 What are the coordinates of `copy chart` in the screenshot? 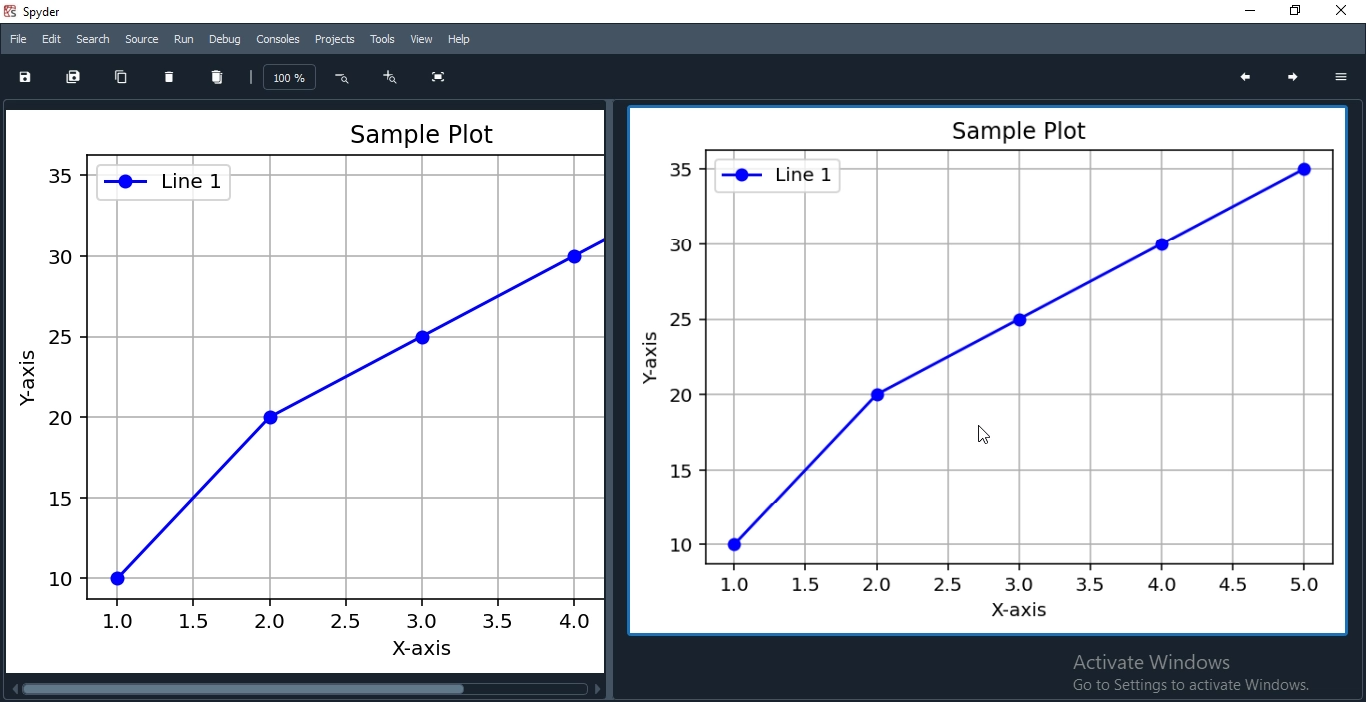 It's located at (121, 76).